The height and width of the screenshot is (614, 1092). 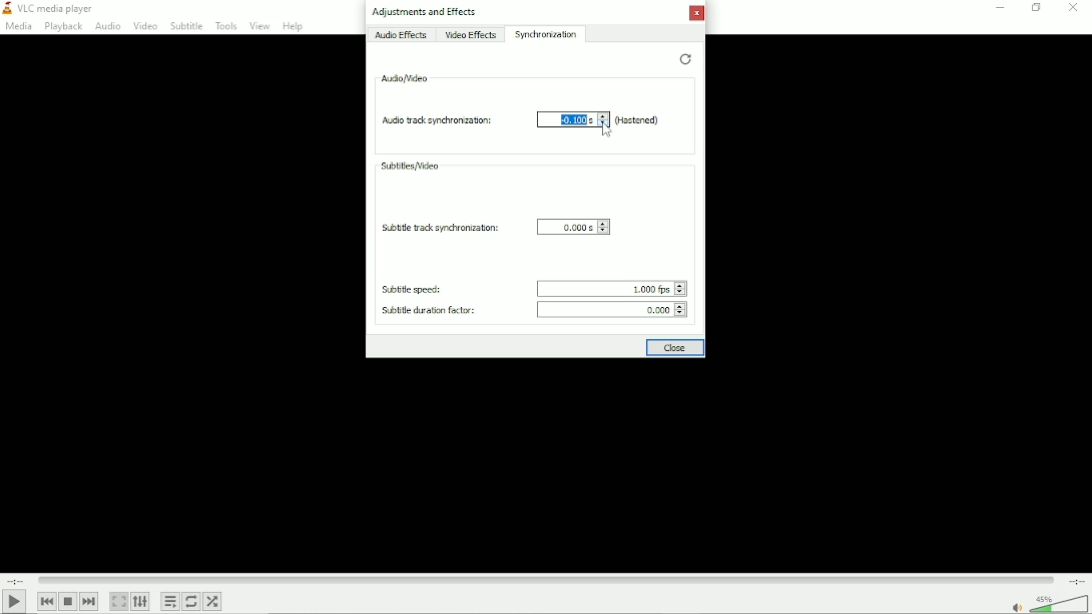 What do you see at coordinates (63, 27) in the screenshot?
I see `Playback` at bounding box center [63, 27].